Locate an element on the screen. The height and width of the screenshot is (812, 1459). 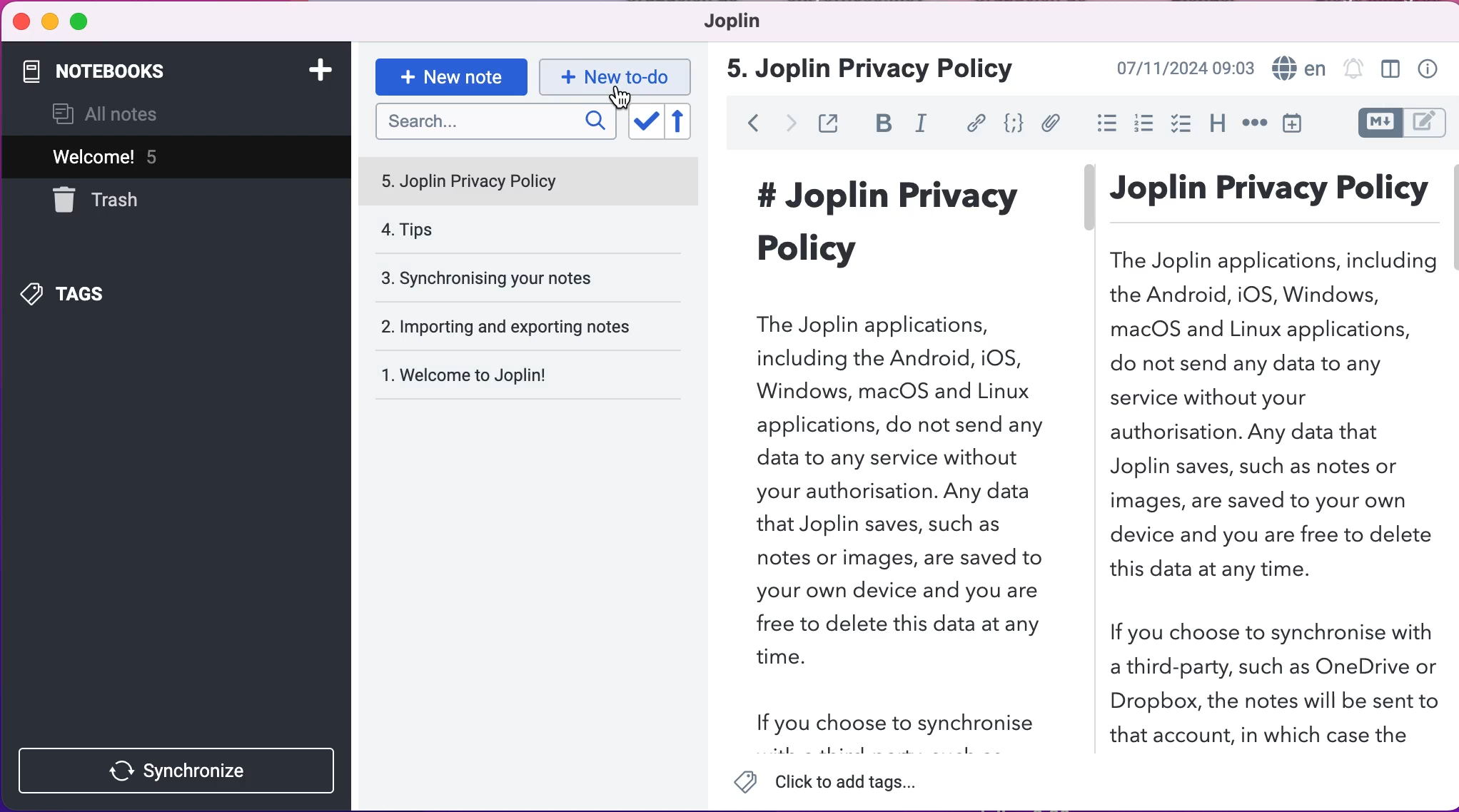
07/11/2024 09:03 is located at coordinates (1183, 66).